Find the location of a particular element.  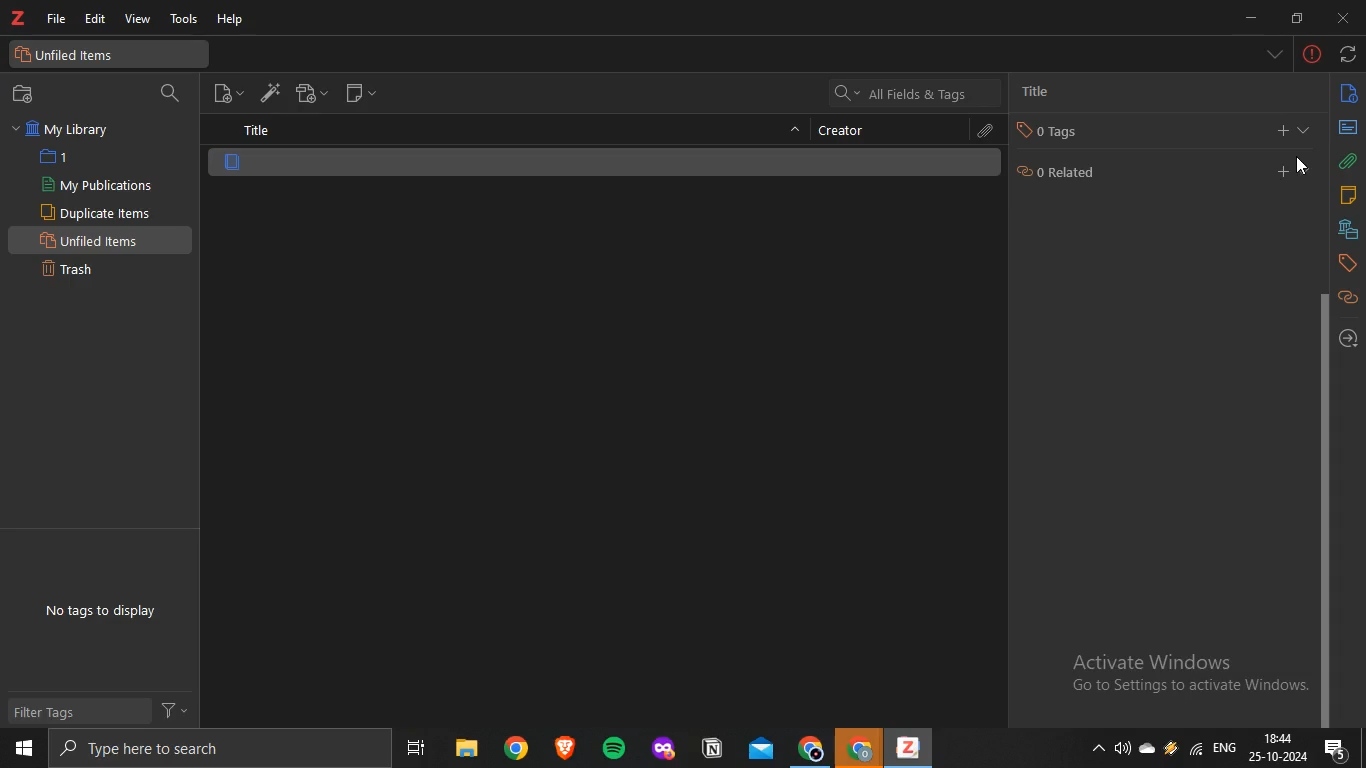

cursor is located at coordinates (1298, 165).